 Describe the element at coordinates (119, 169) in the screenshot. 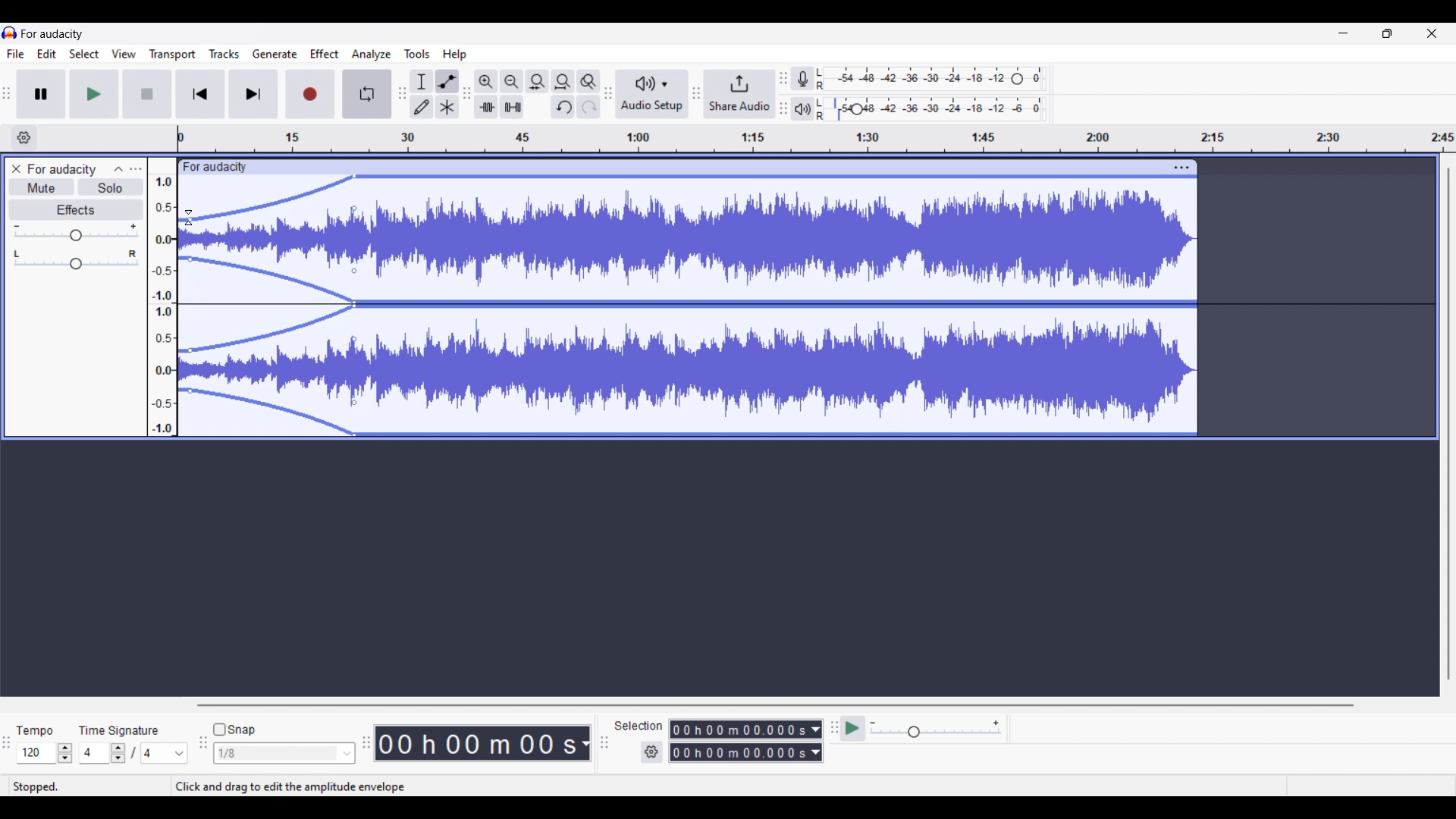

I see `Collapse` at that location.